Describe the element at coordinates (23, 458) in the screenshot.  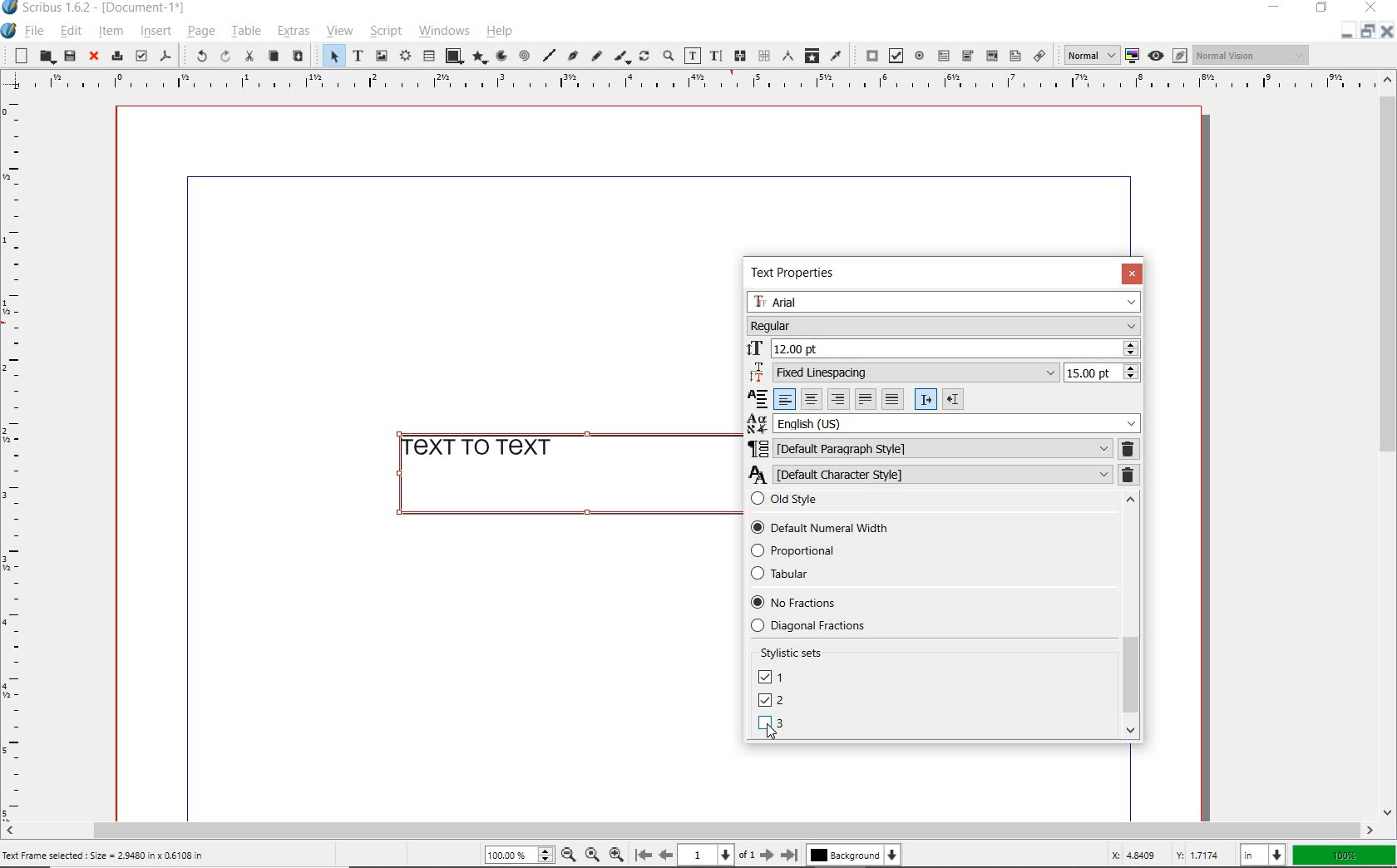
I see `Horizontal page margin` at that location.